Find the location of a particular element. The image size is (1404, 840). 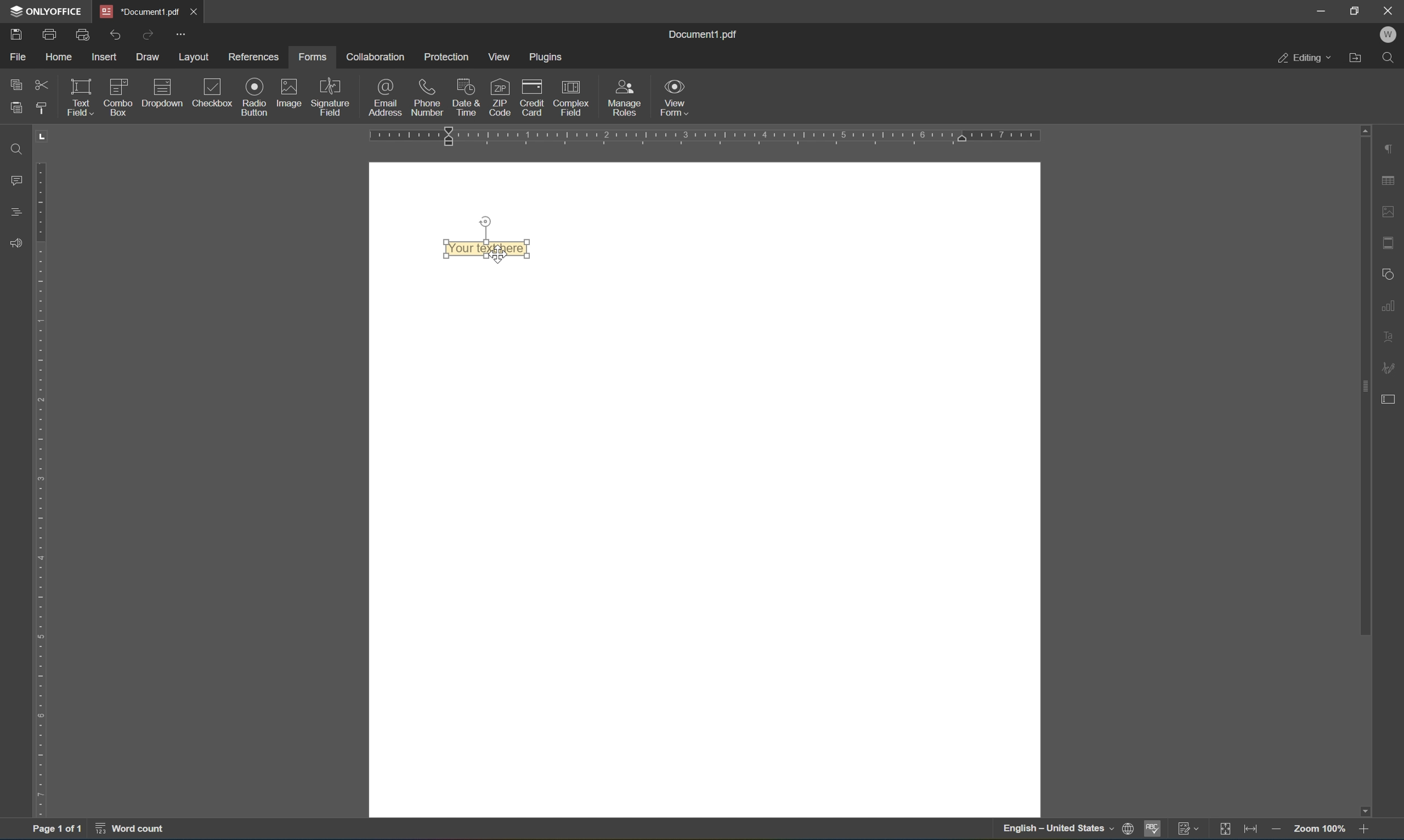

checkbox is located at coordinates (210, 92).